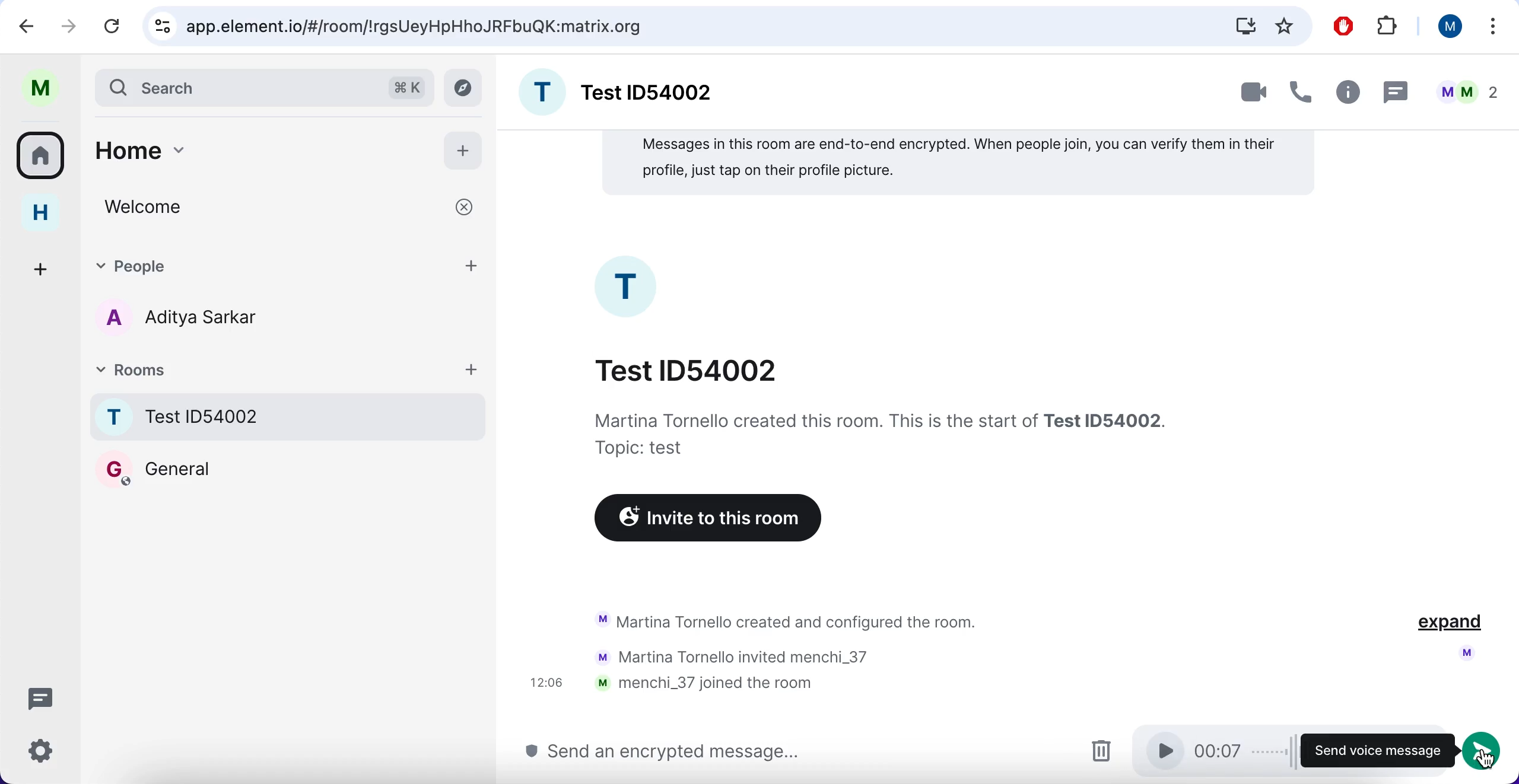 This screenshot has height=784, width=1519. I want to click on quick setting, so click(40, 753).